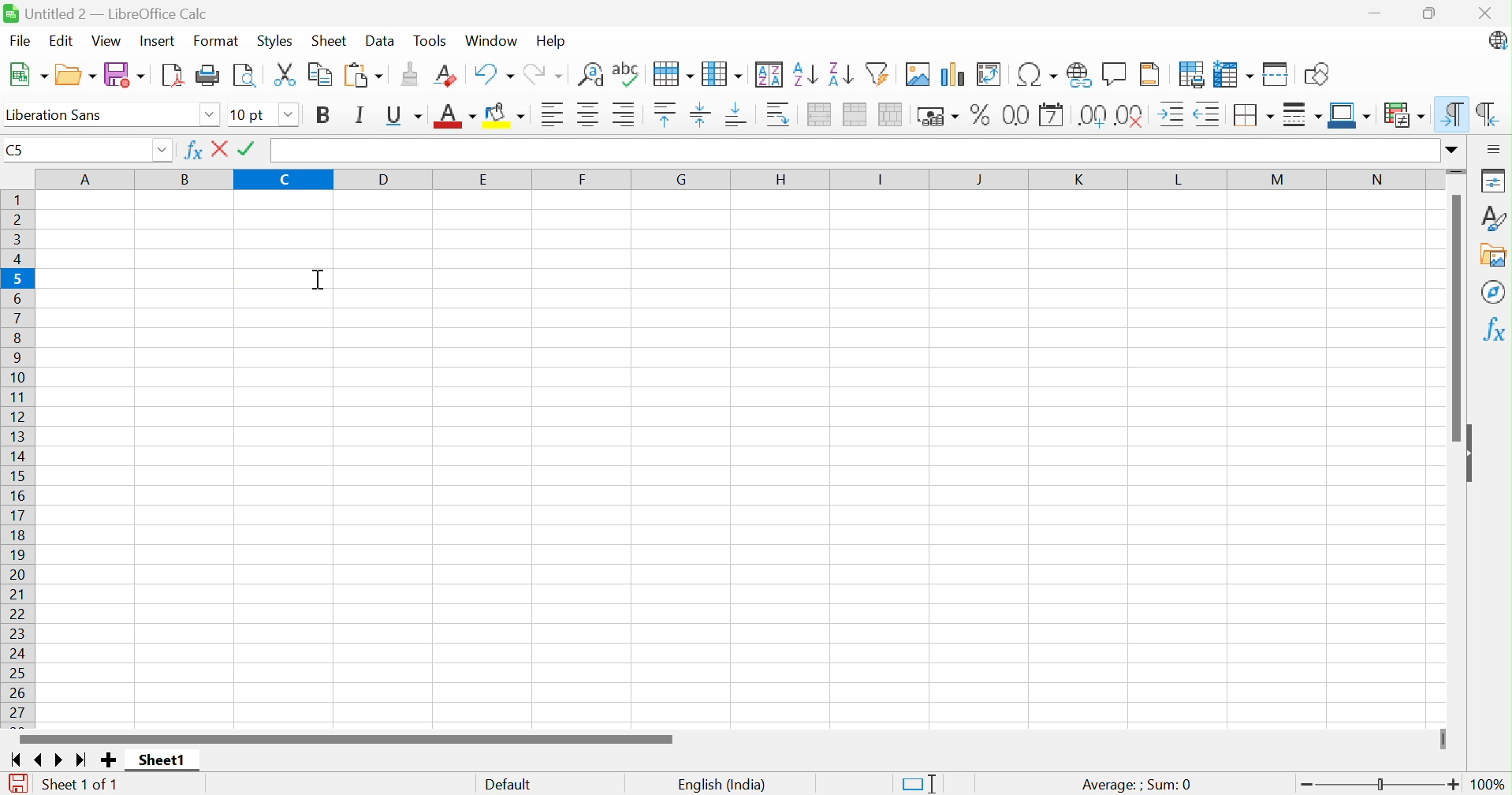  What do you see at coordinates (1381, 786) in the screenshot?
I see `Slider` at bounding box center [1381, 786].